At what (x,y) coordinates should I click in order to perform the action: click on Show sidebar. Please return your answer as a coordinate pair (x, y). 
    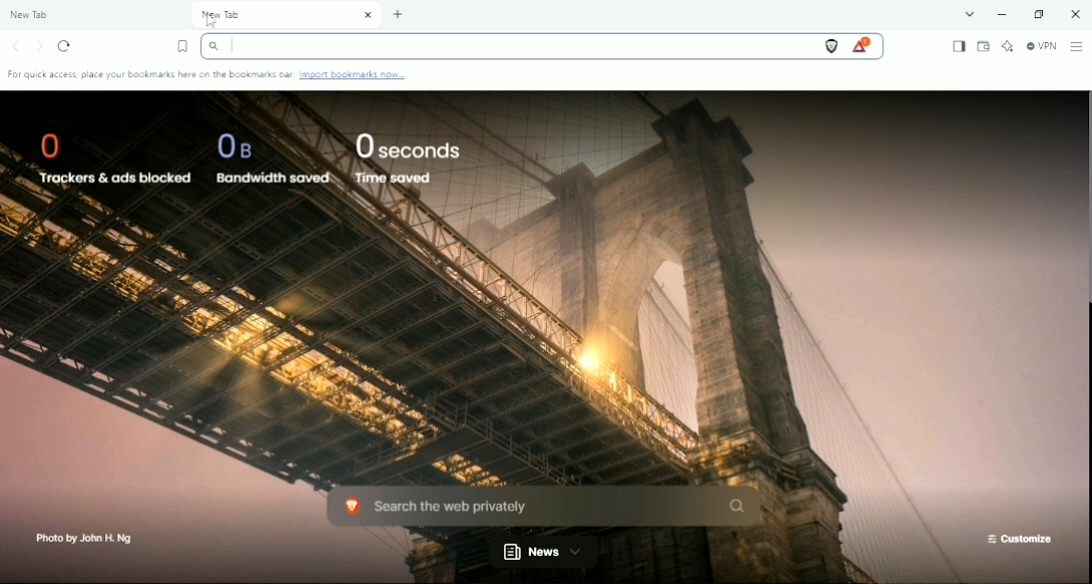
    Looking at the image, I should click on (959, 48).